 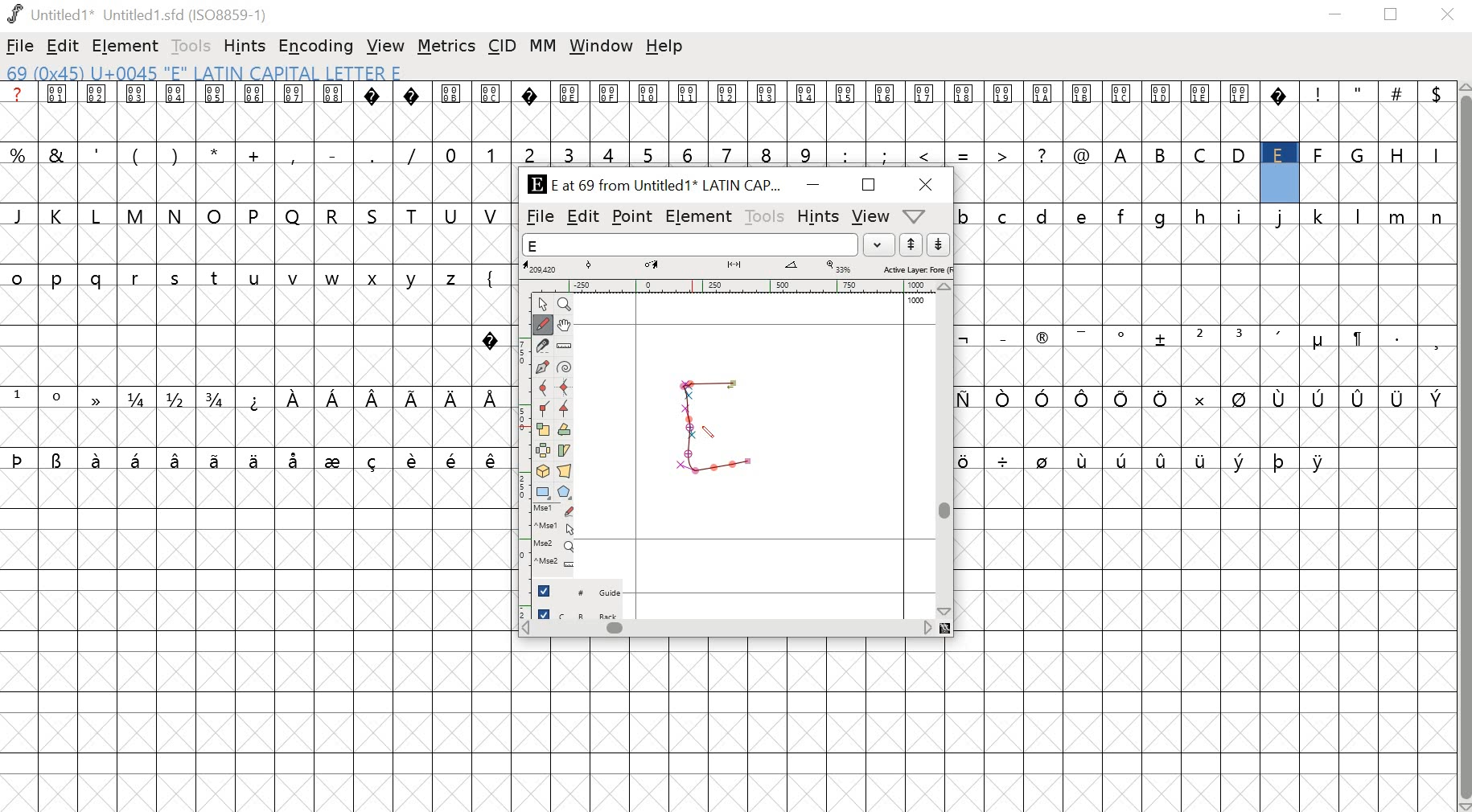 What do you see at coordinates (386, 46) in the screenshot?
I see `view` at bounding box center [386, 46].